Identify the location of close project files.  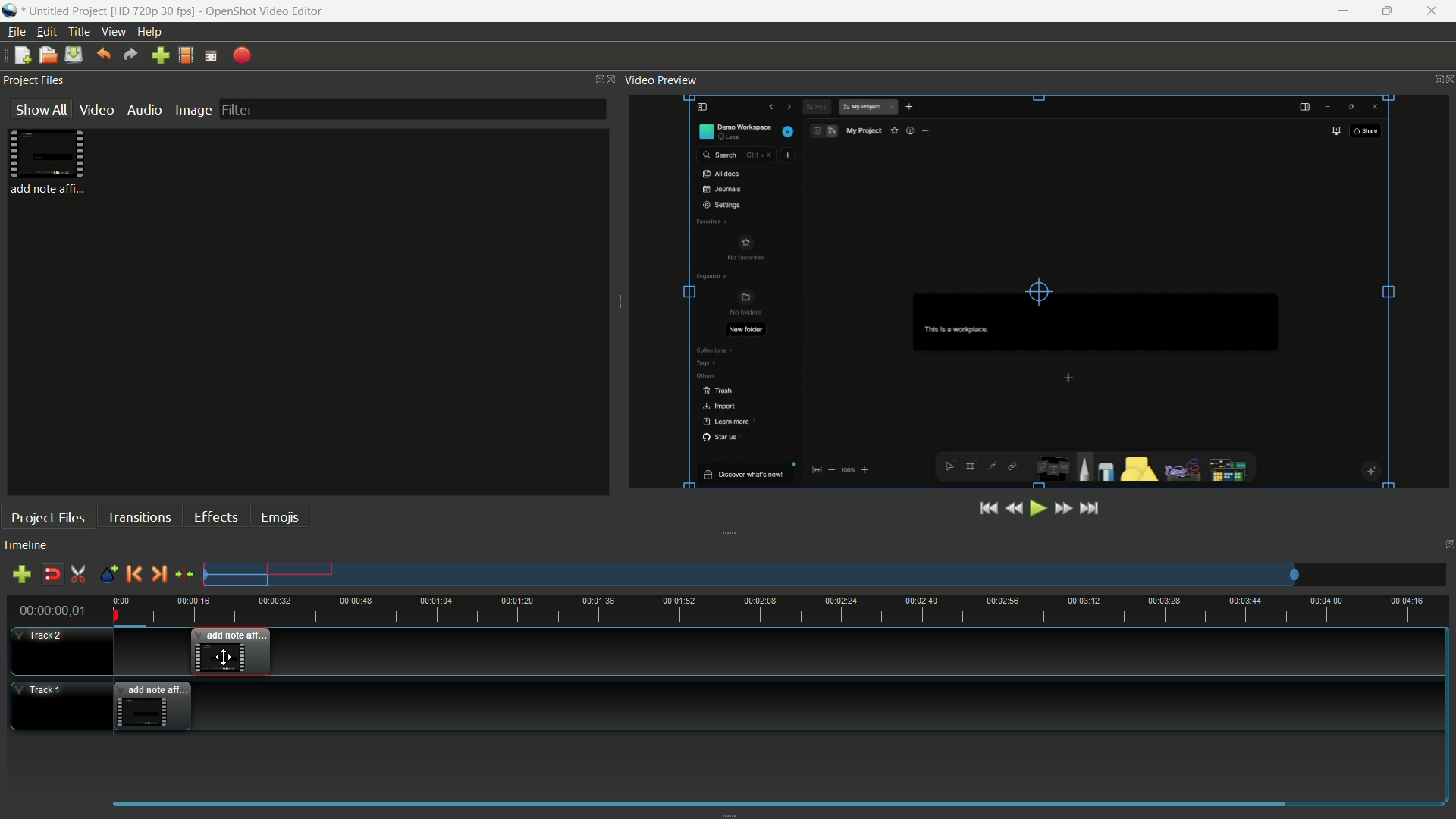
(613, 79).